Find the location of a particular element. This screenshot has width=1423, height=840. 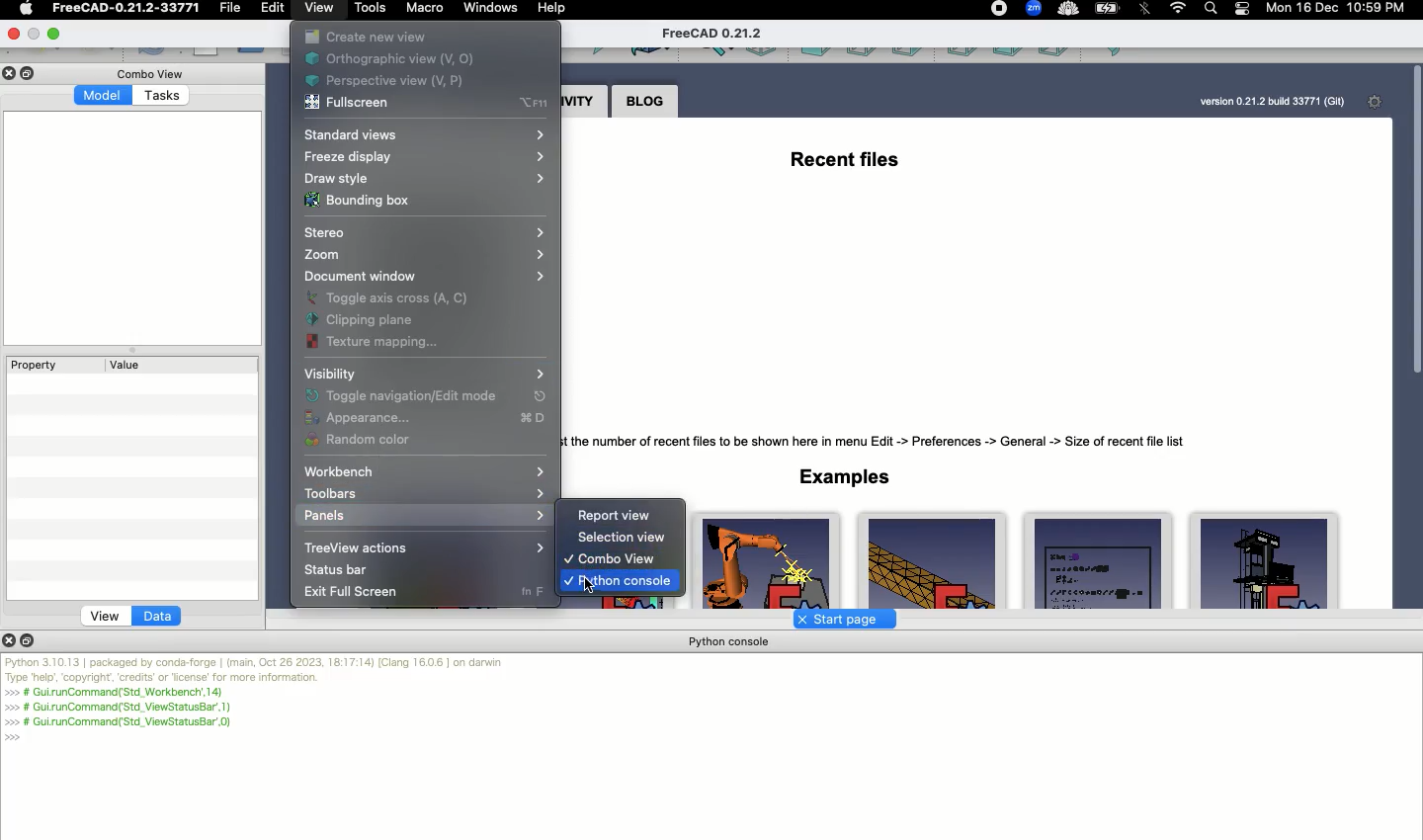

Standard views is located at coordinates (423, 136).